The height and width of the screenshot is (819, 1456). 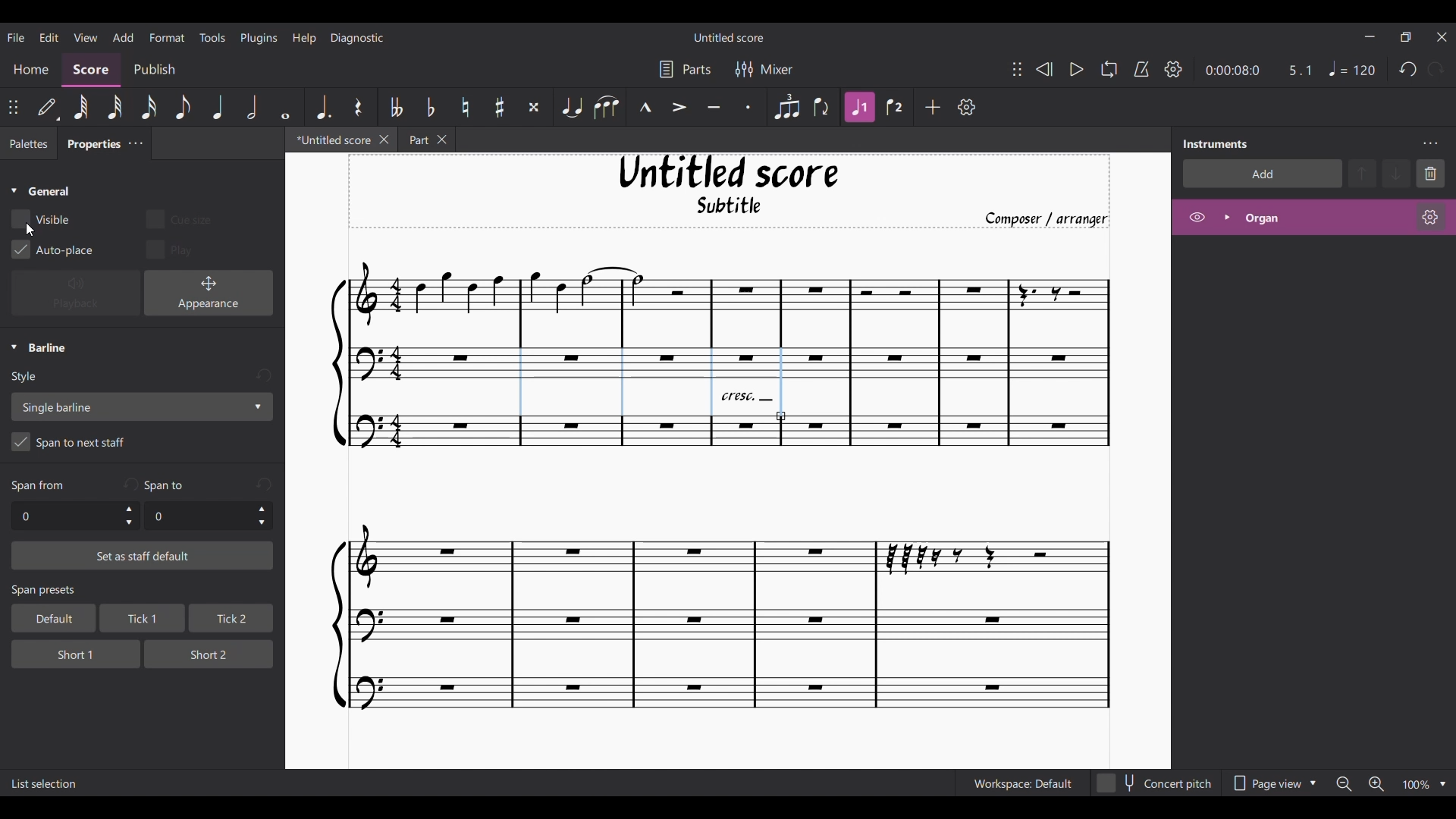 What do you see at coordinates (645, 108) in the screenshot?
I see `Marcato` at bounding box center [645, 108].